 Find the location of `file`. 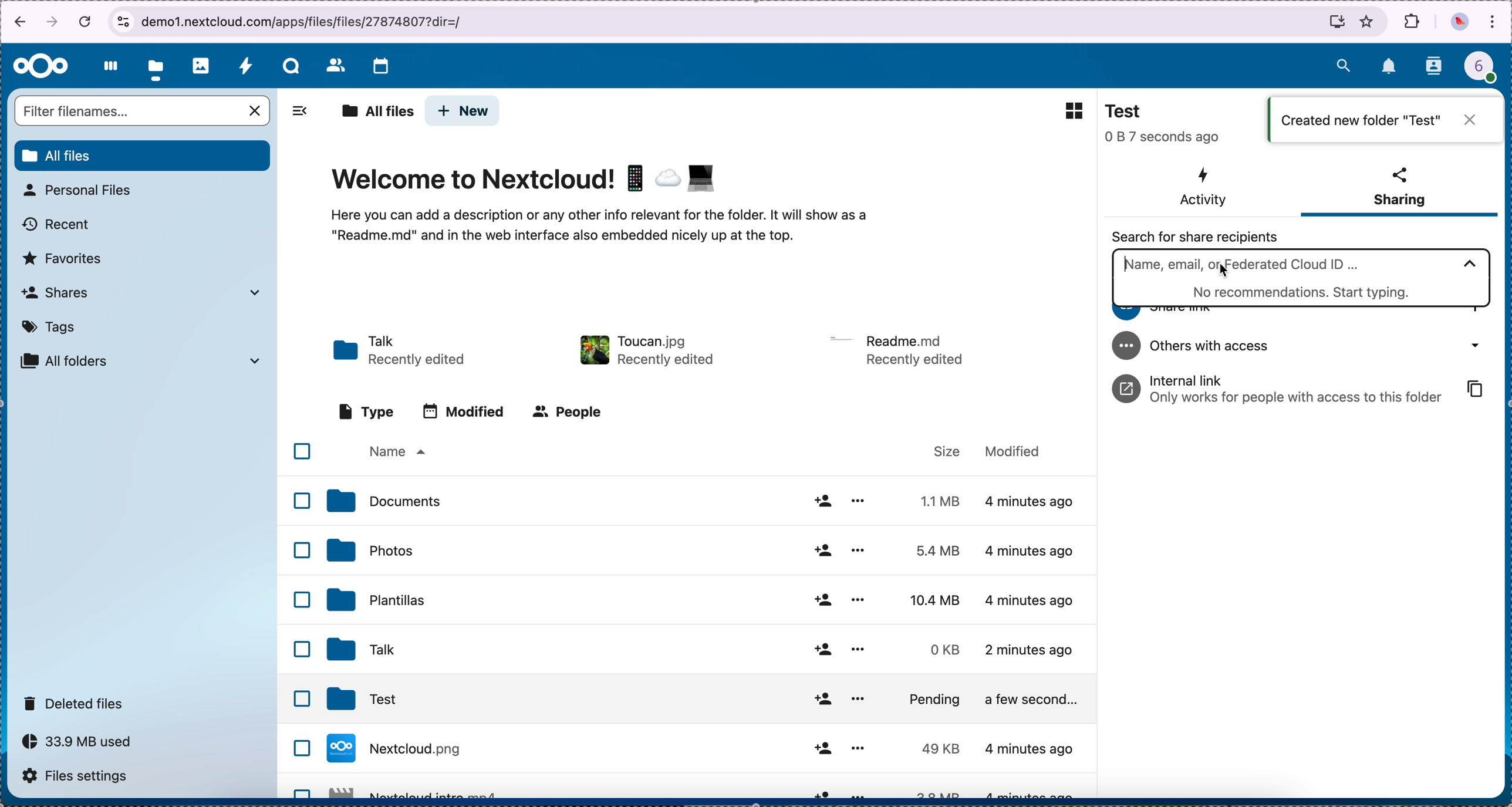

file is located at coordinates (899, 349).